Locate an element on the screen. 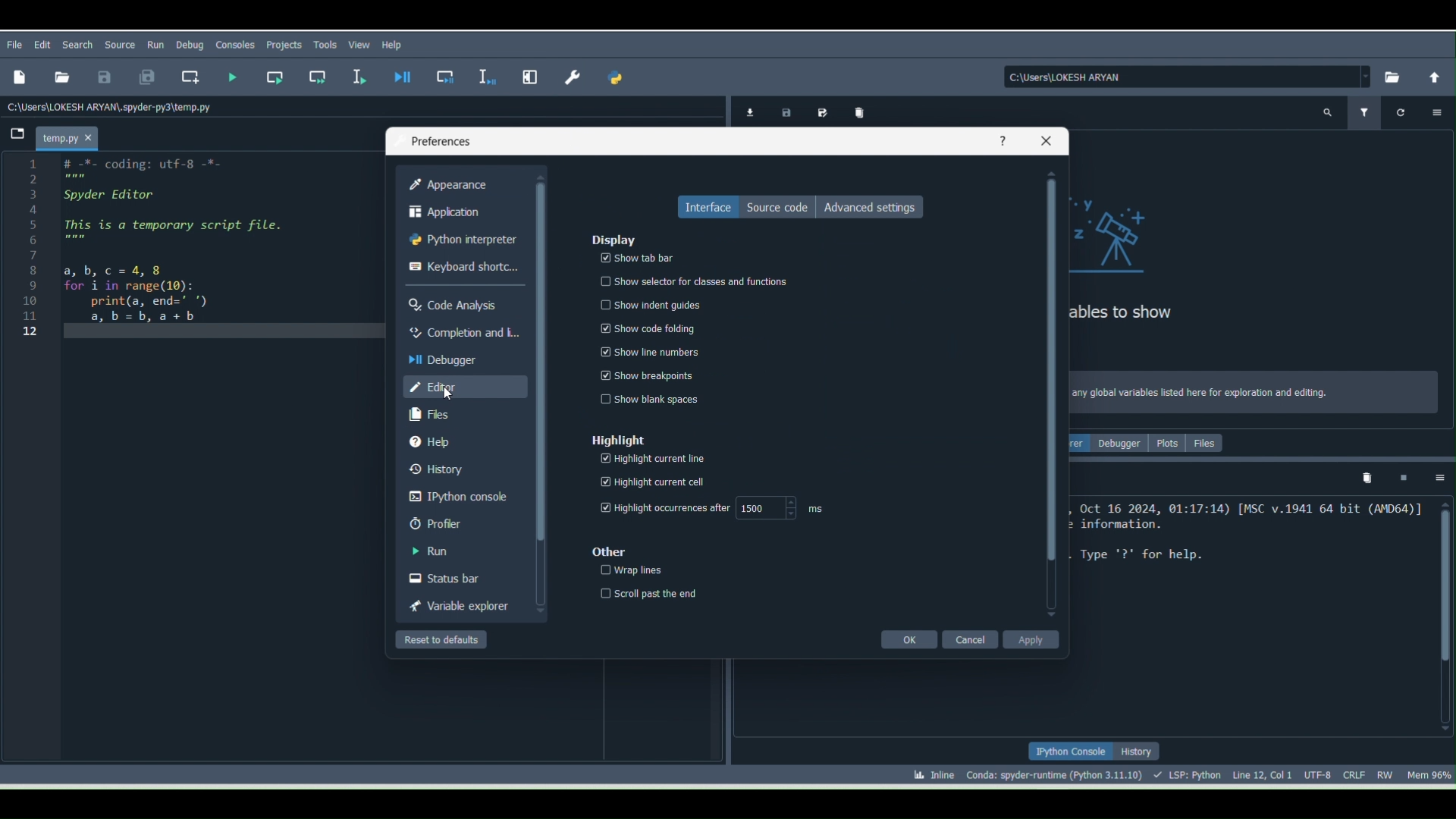 The height and width of the screenshot is (819, 1456). Editor is located at coordinates (463, 387).